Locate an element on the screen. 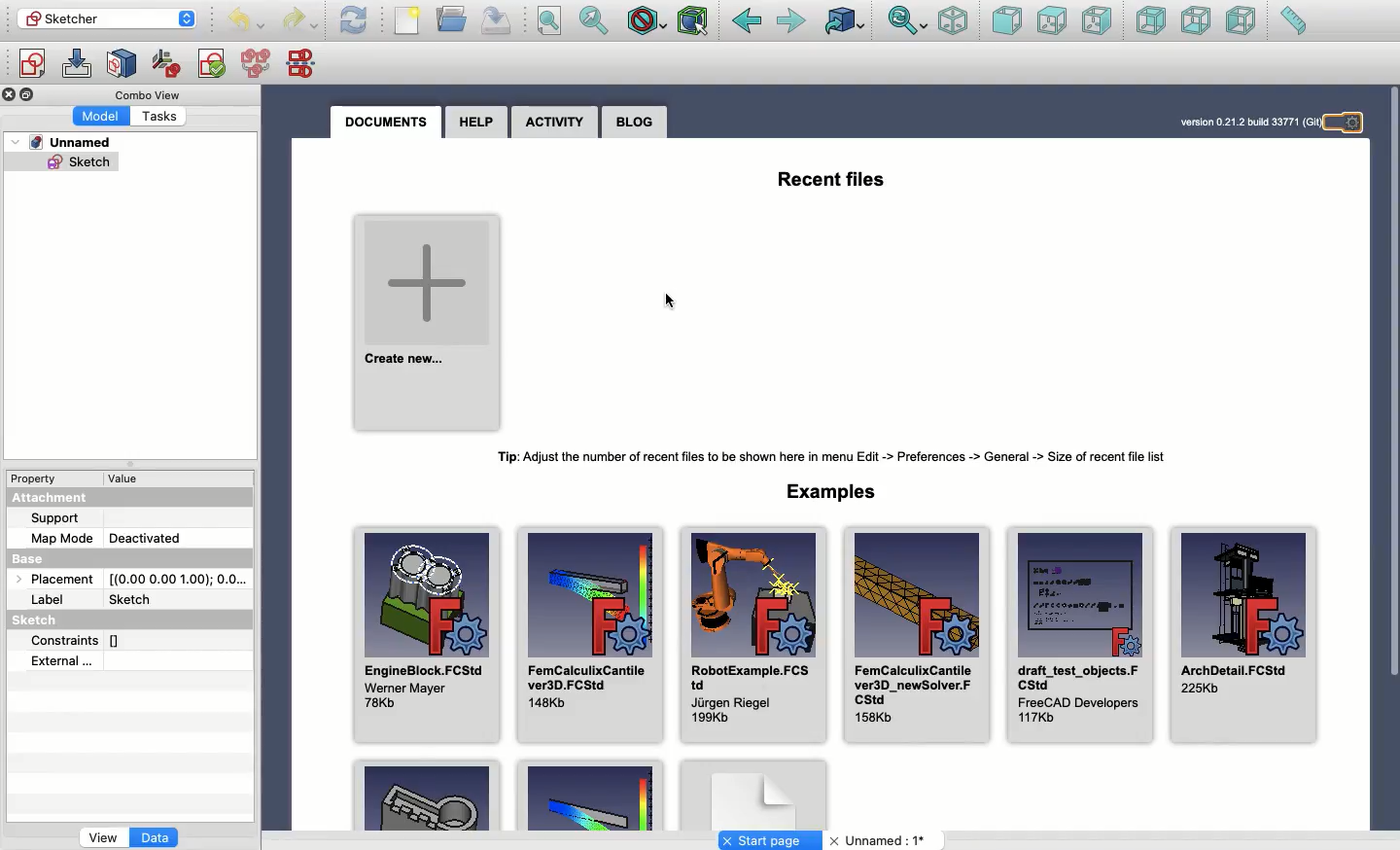 The height and width of the screenshot is (850, 1400). Undo is located at coordinates (301, 20).